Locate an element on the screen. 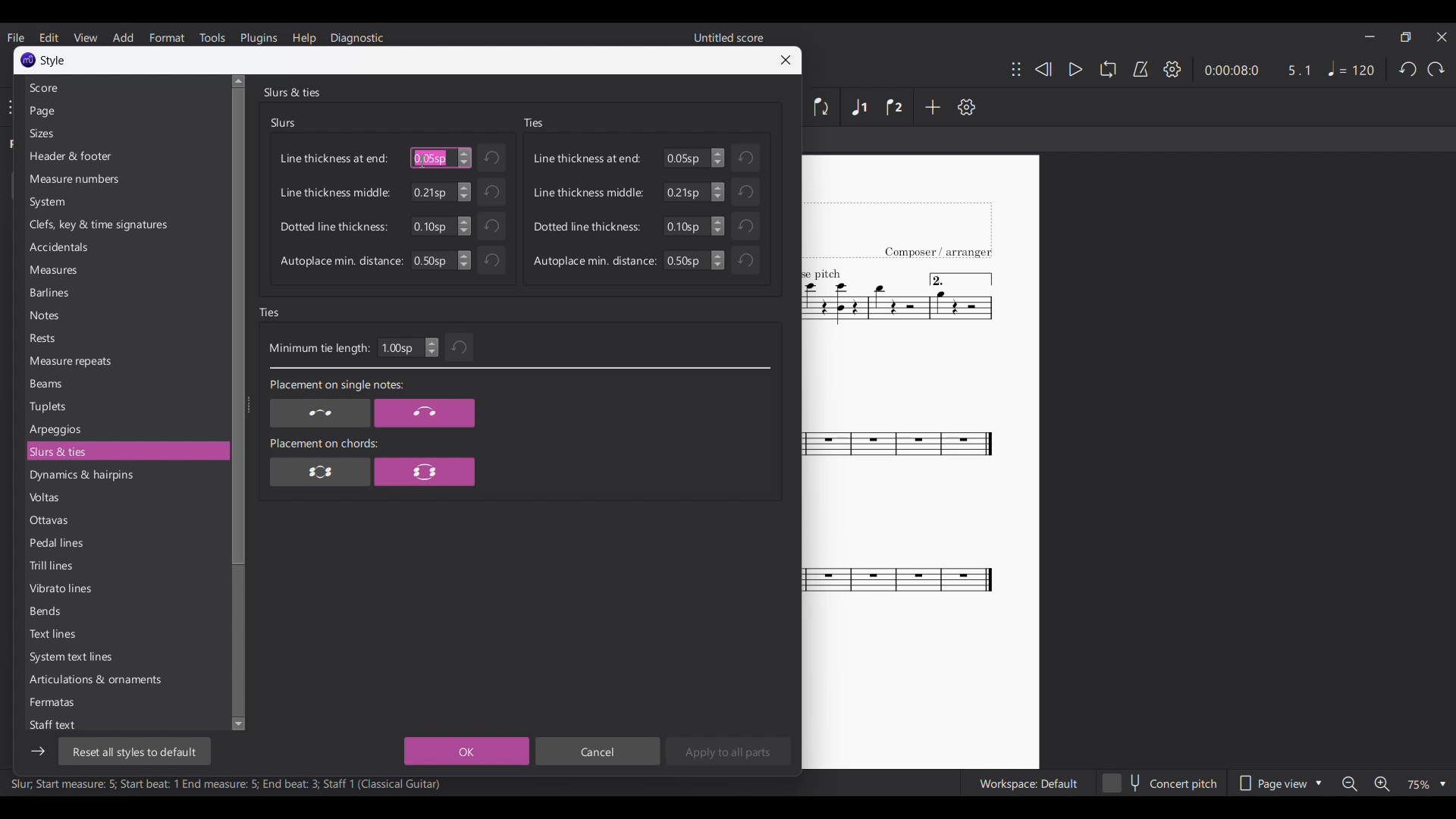 This screenshot has width=1456, height=819. Undo is located at coordinates (745, 191).